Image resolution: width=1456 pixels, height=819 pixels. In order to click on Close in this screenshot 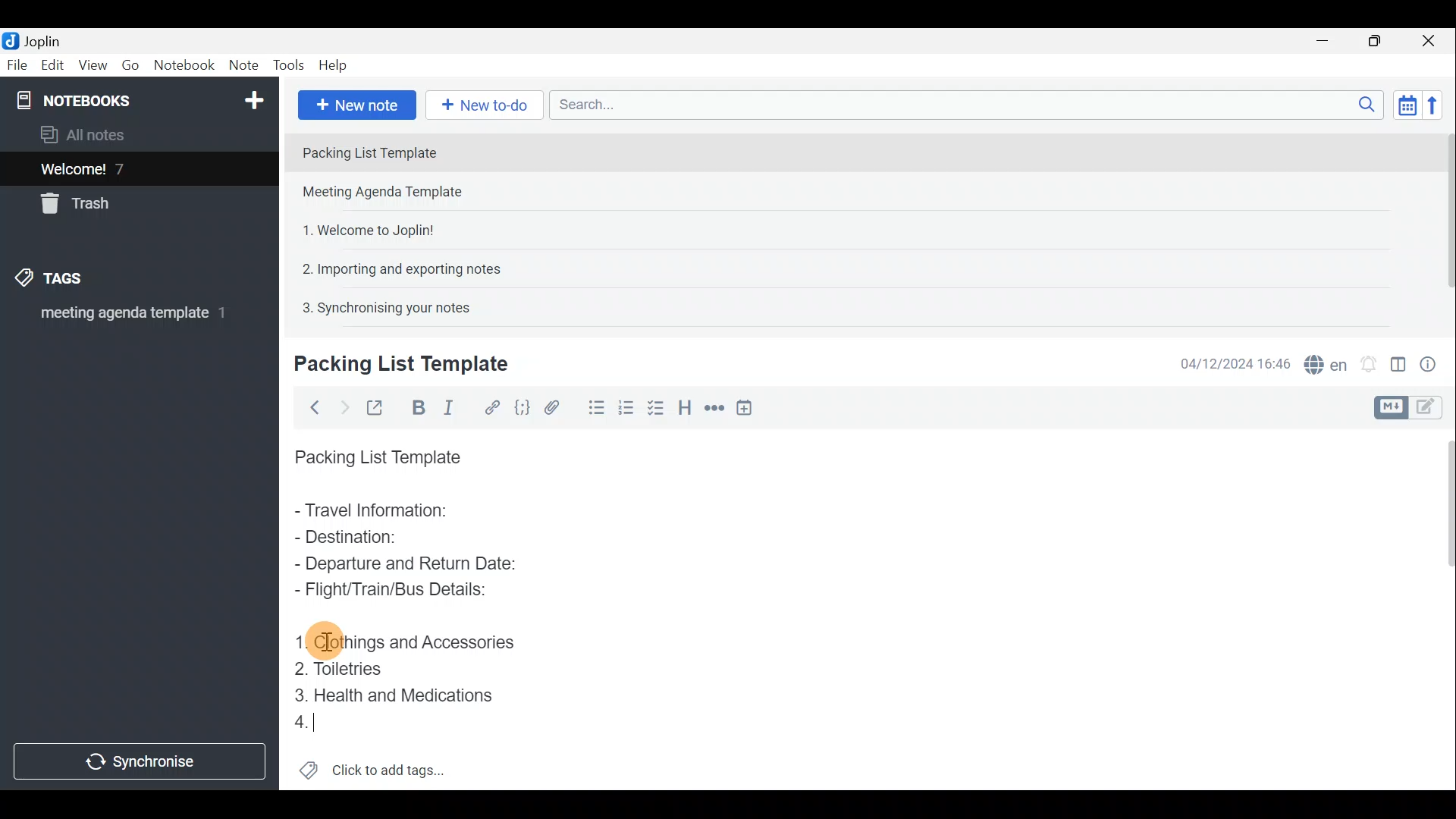, I will do `click(1433, 40)`.